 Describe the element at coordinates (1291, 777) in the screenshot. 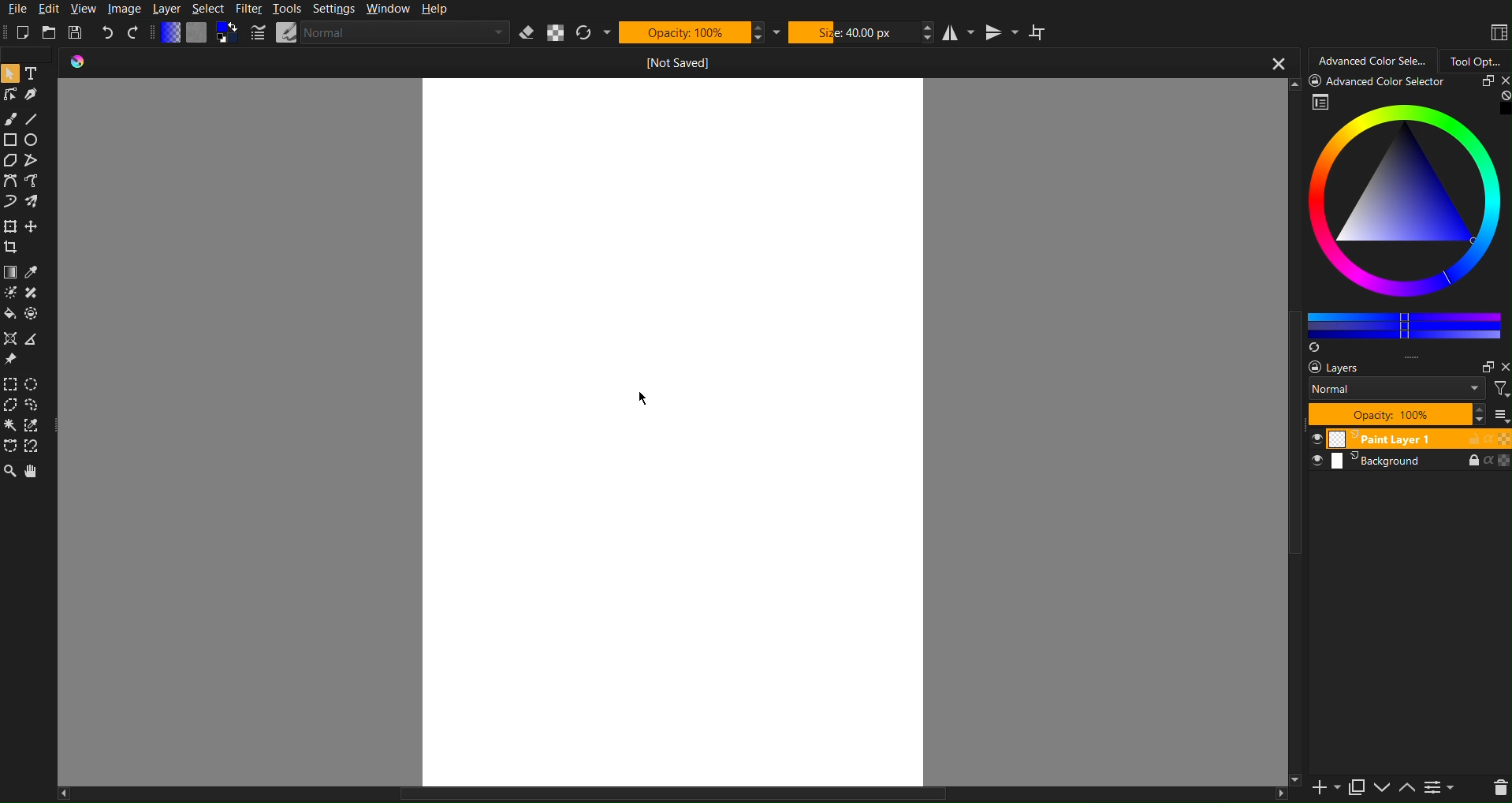

I see `` at that location.